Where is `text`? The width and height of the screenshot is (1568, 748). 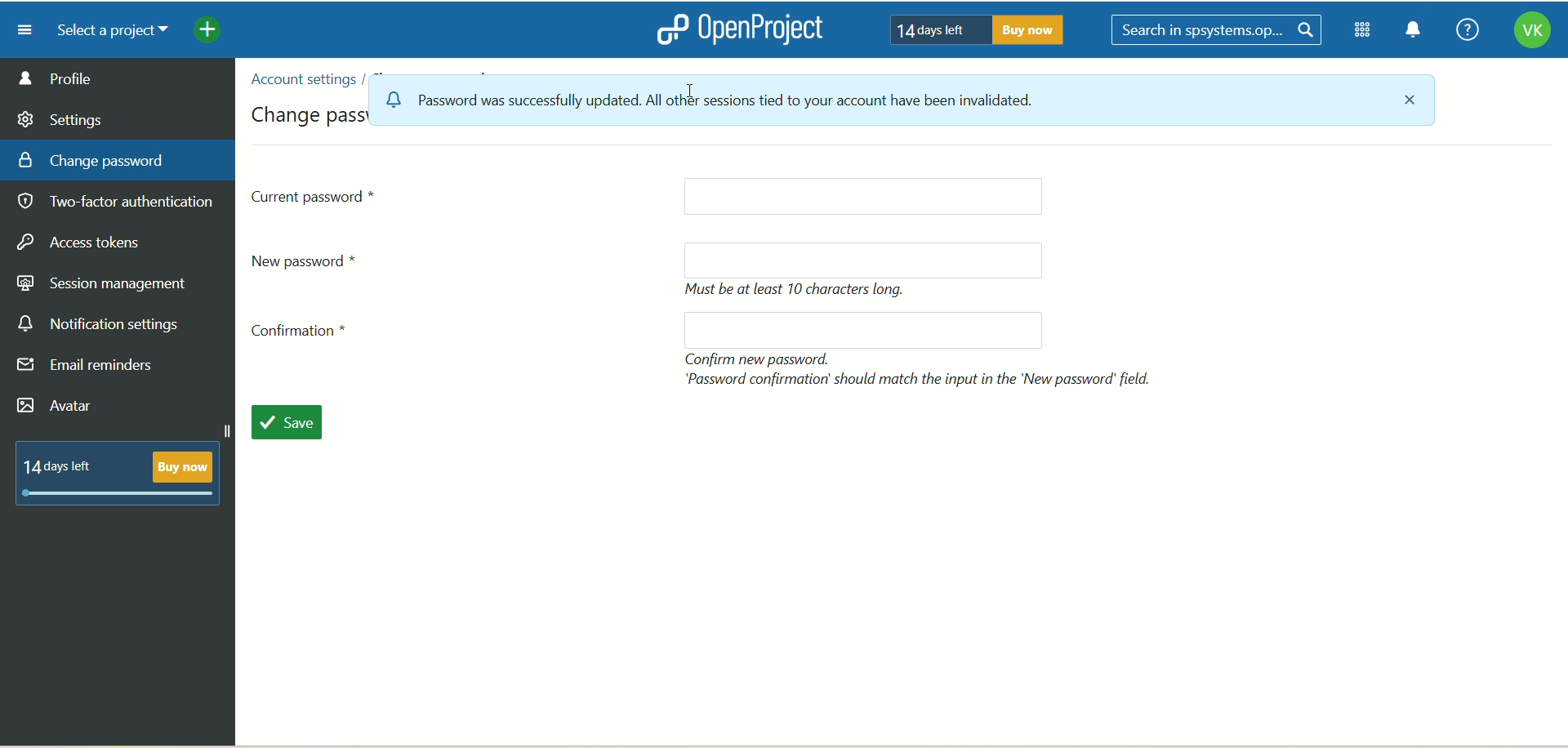
text is located at coordinates (971, 29).